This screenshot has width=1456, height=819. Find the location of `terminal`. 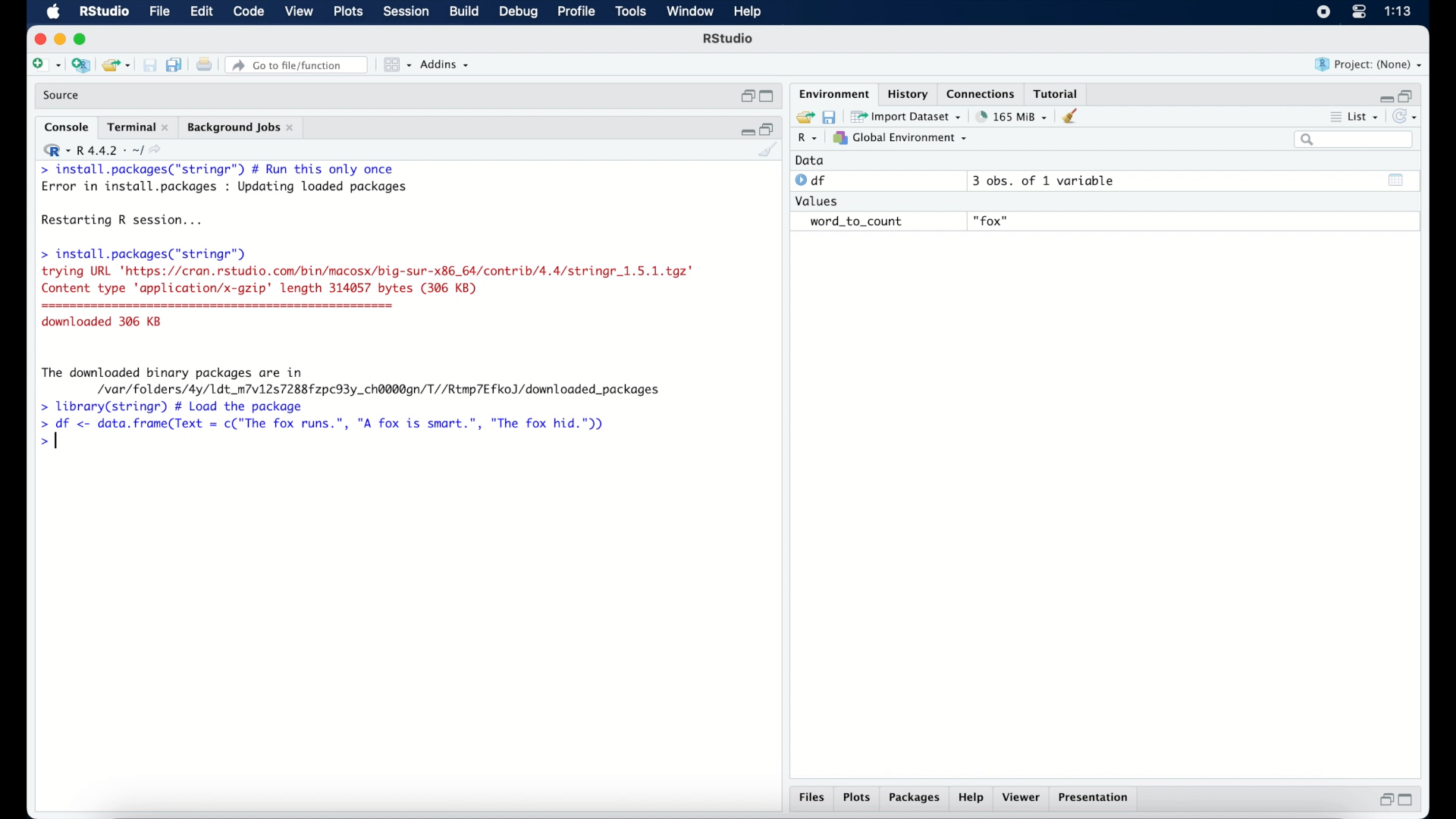

terminal is located at coordinates (138, 127).